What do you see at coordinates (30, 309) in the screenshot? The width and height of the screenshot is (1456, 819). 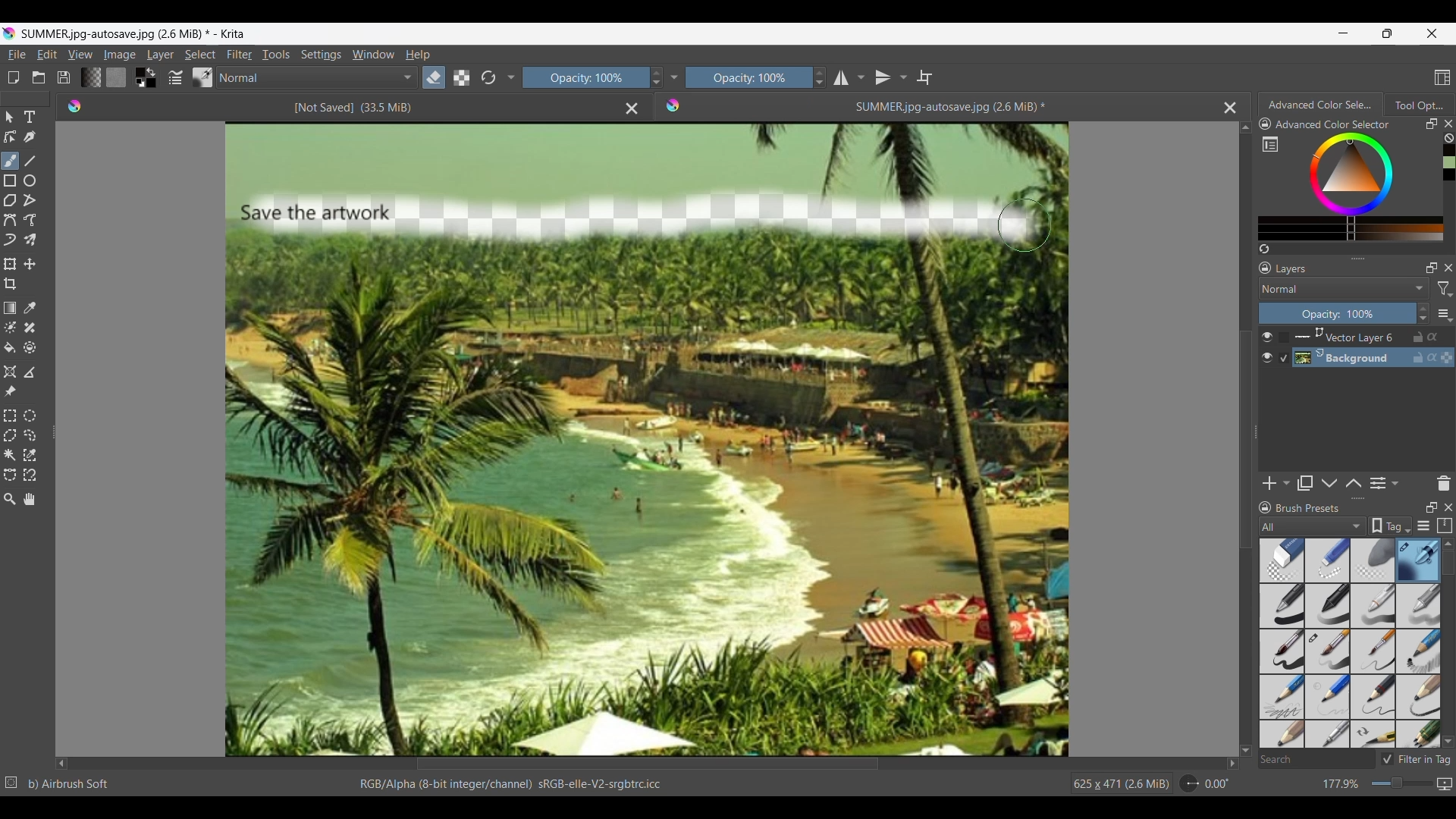 I see `Sample color from current layer` at bounding box center [30, 309].